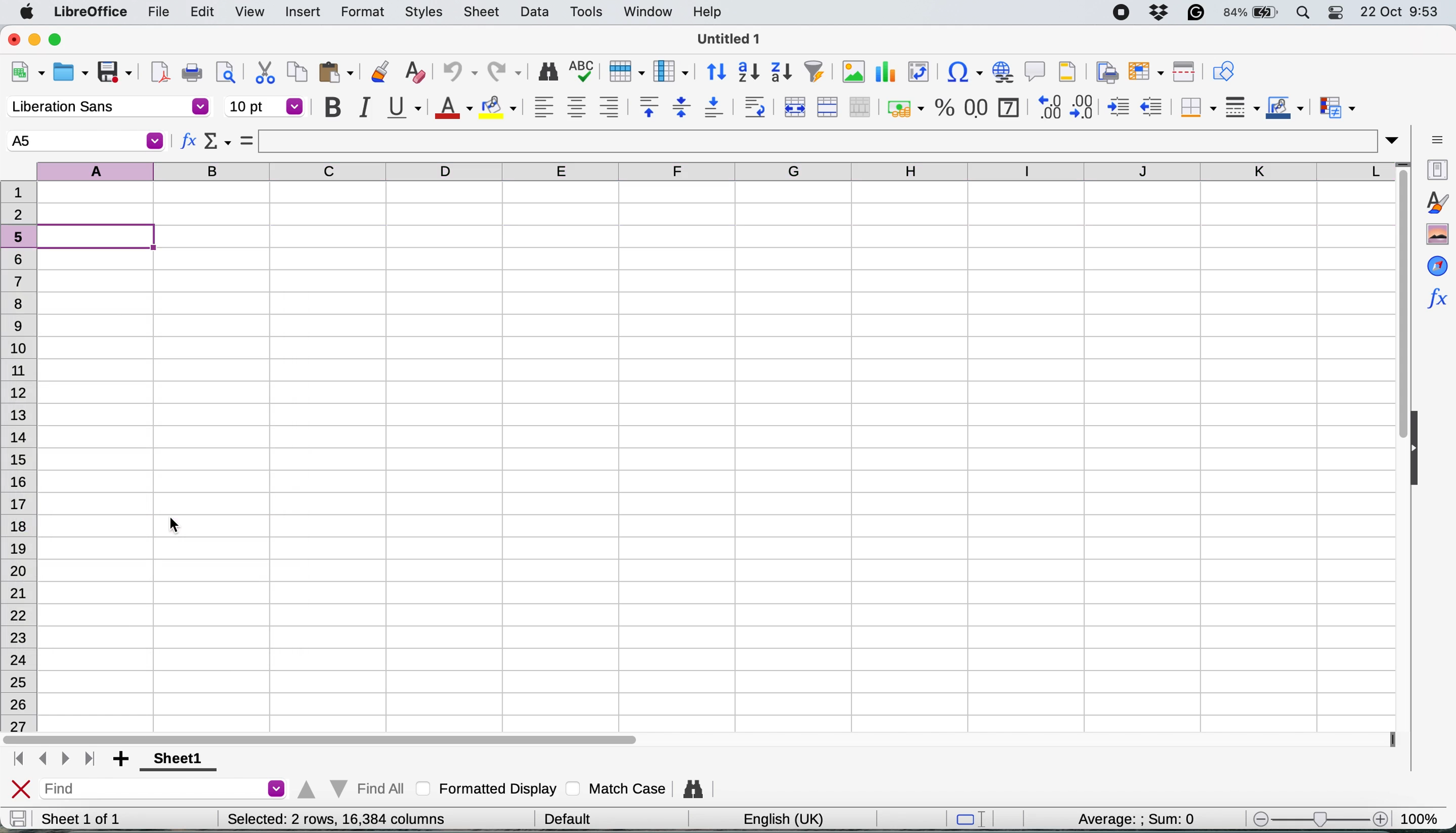  I want to click on column, so click(671, 70).